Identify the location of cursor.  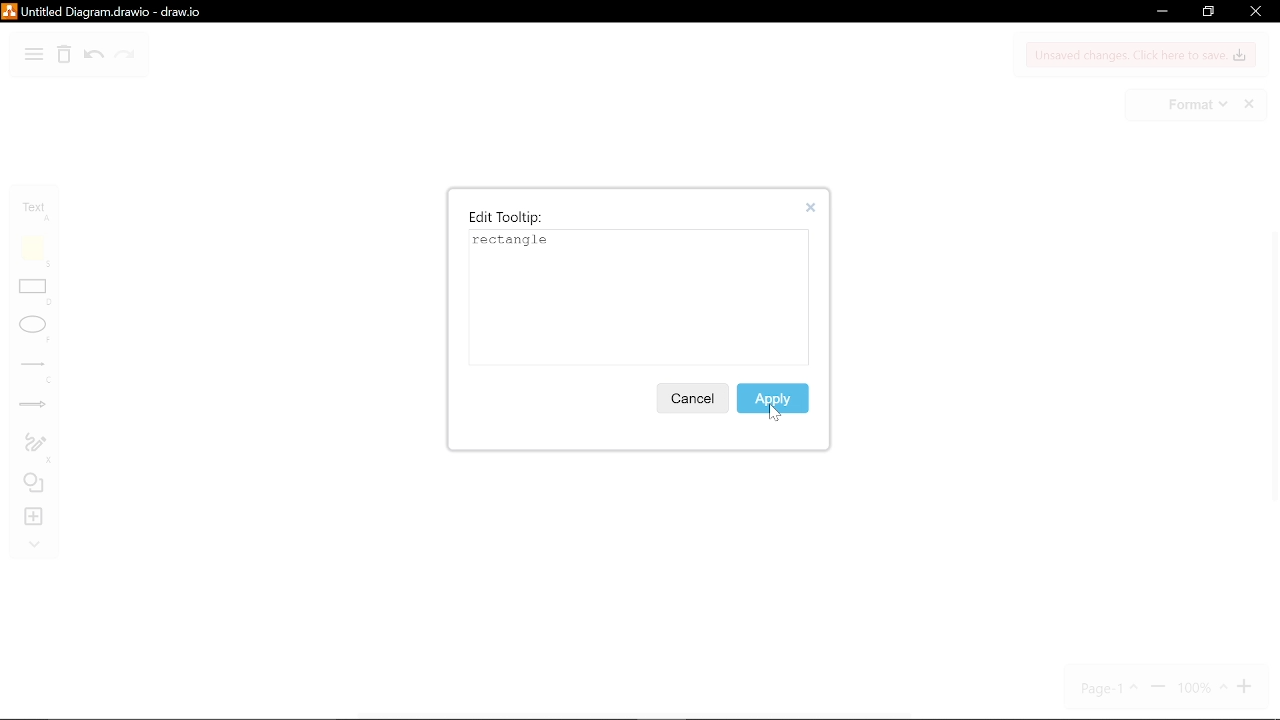
(778, 415).